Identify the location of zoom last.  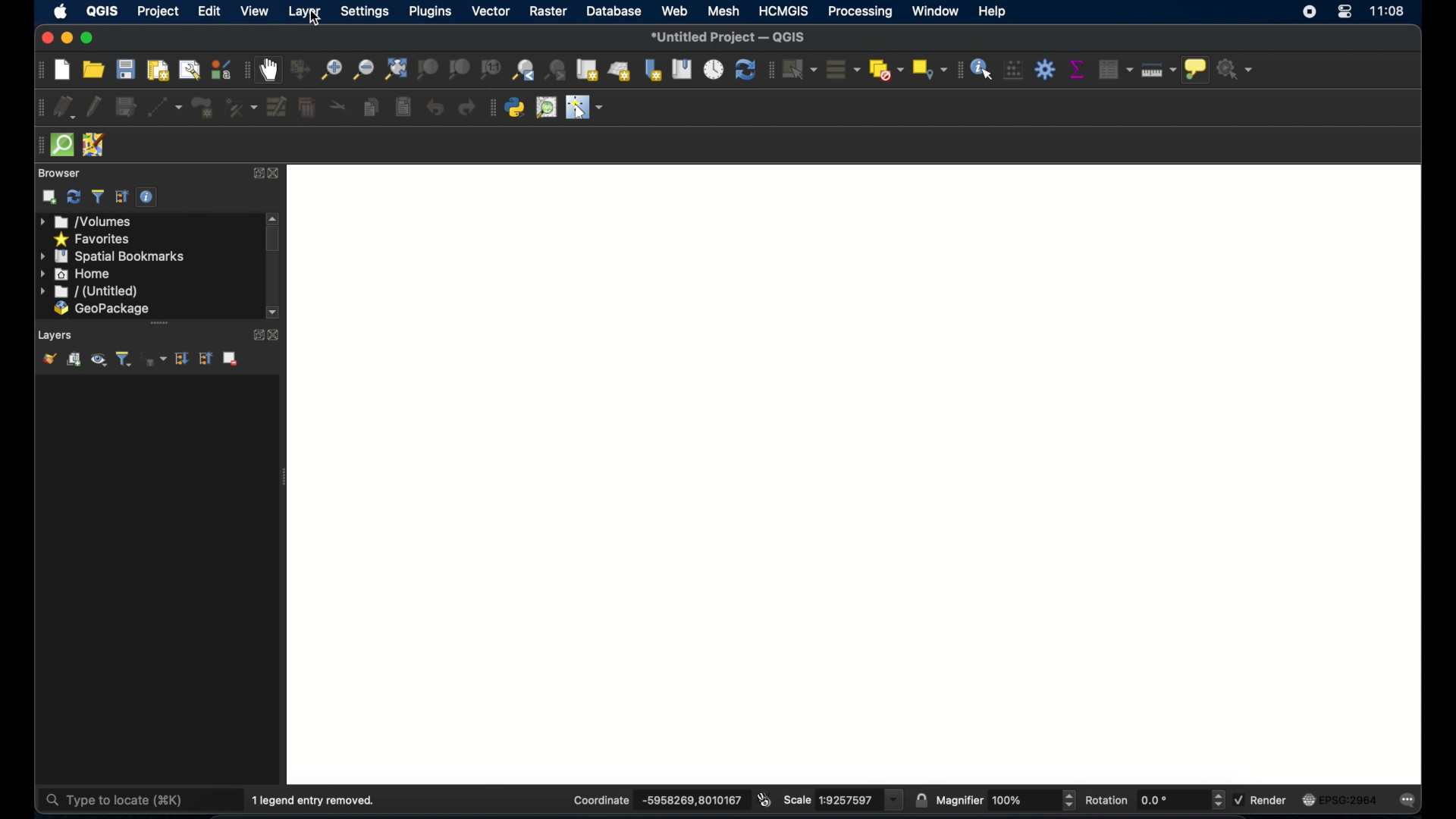
(524, 69).